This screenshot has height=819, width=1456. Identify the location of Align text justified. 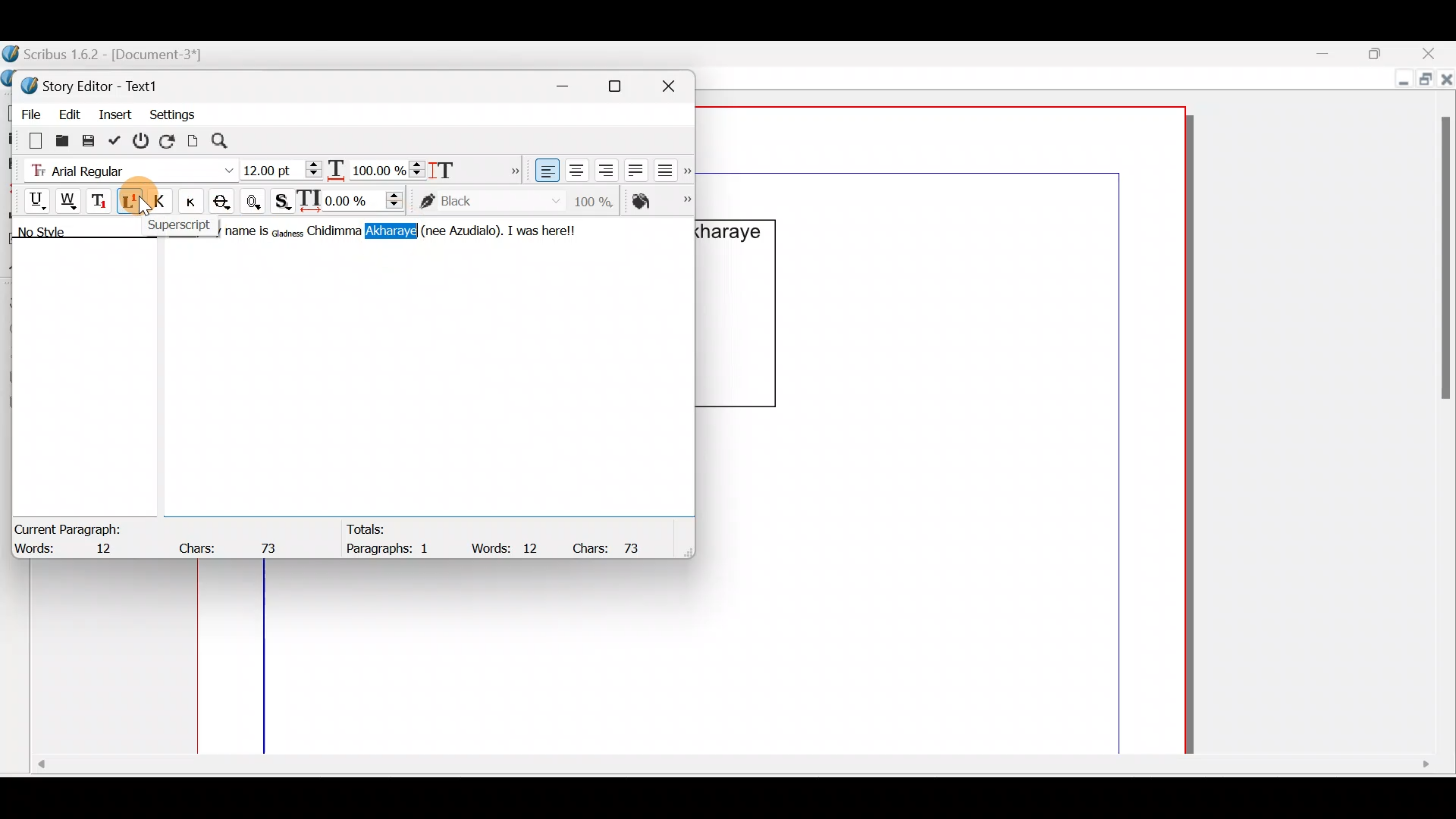
(634, 168).